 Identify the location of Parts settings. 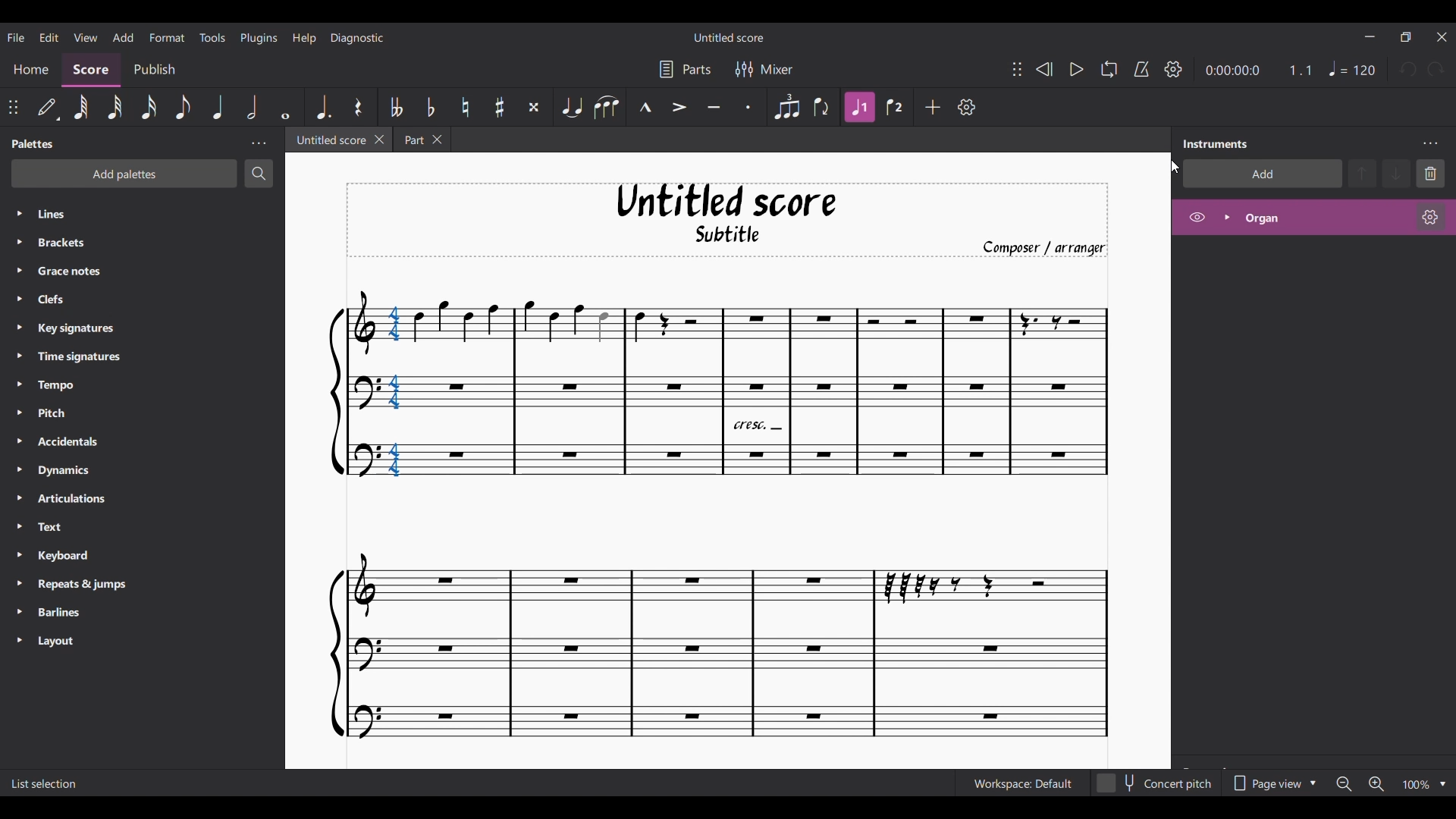
(686, 69).